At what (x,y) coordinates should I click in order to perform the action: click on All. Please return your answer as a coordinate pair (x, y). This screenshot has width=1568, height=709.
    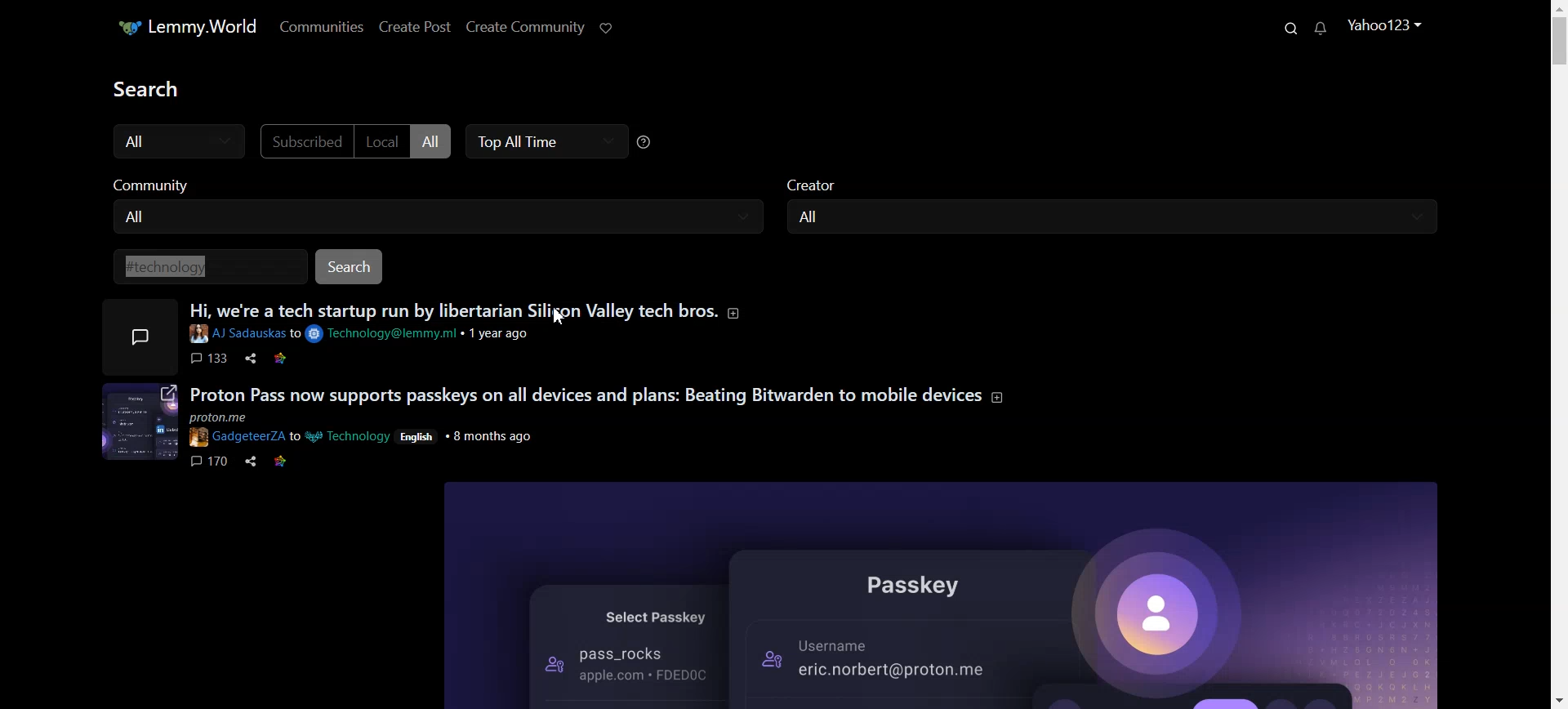
    Looking at the image, I should click on (1110, 218).